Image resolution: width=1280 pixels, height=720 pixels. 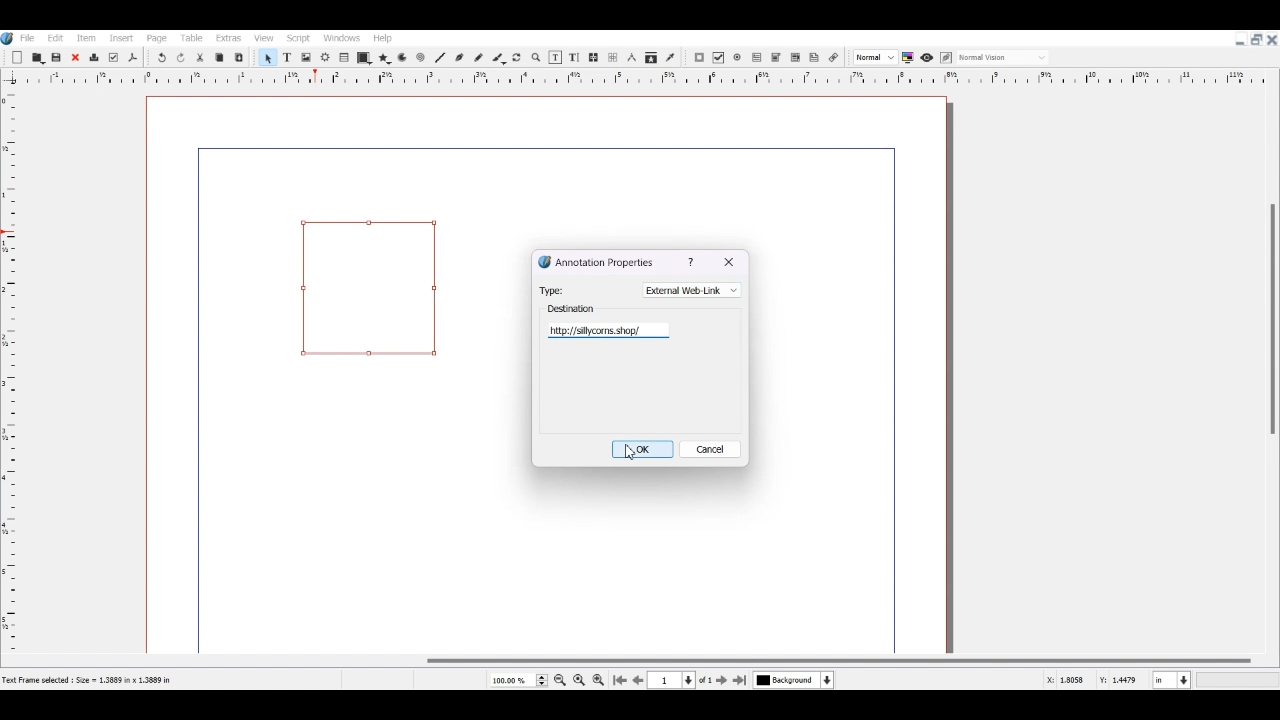 What do you see at coordinates (200, 57) in the screenshot?
I see `Cut` at bounding box center [200, 57].